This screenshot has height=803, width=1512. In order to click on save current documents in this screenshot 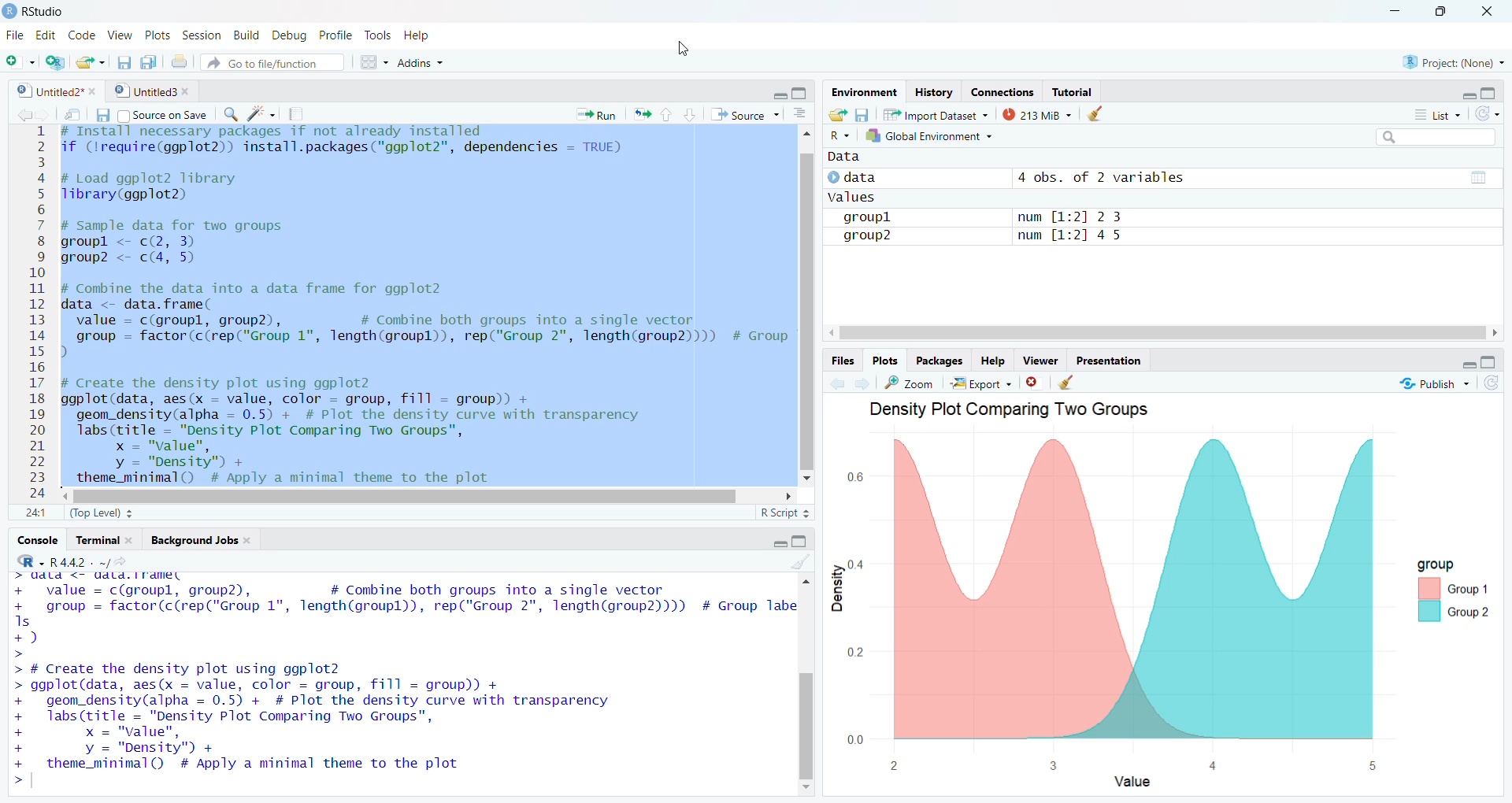, I will do `click(123, 64)`.